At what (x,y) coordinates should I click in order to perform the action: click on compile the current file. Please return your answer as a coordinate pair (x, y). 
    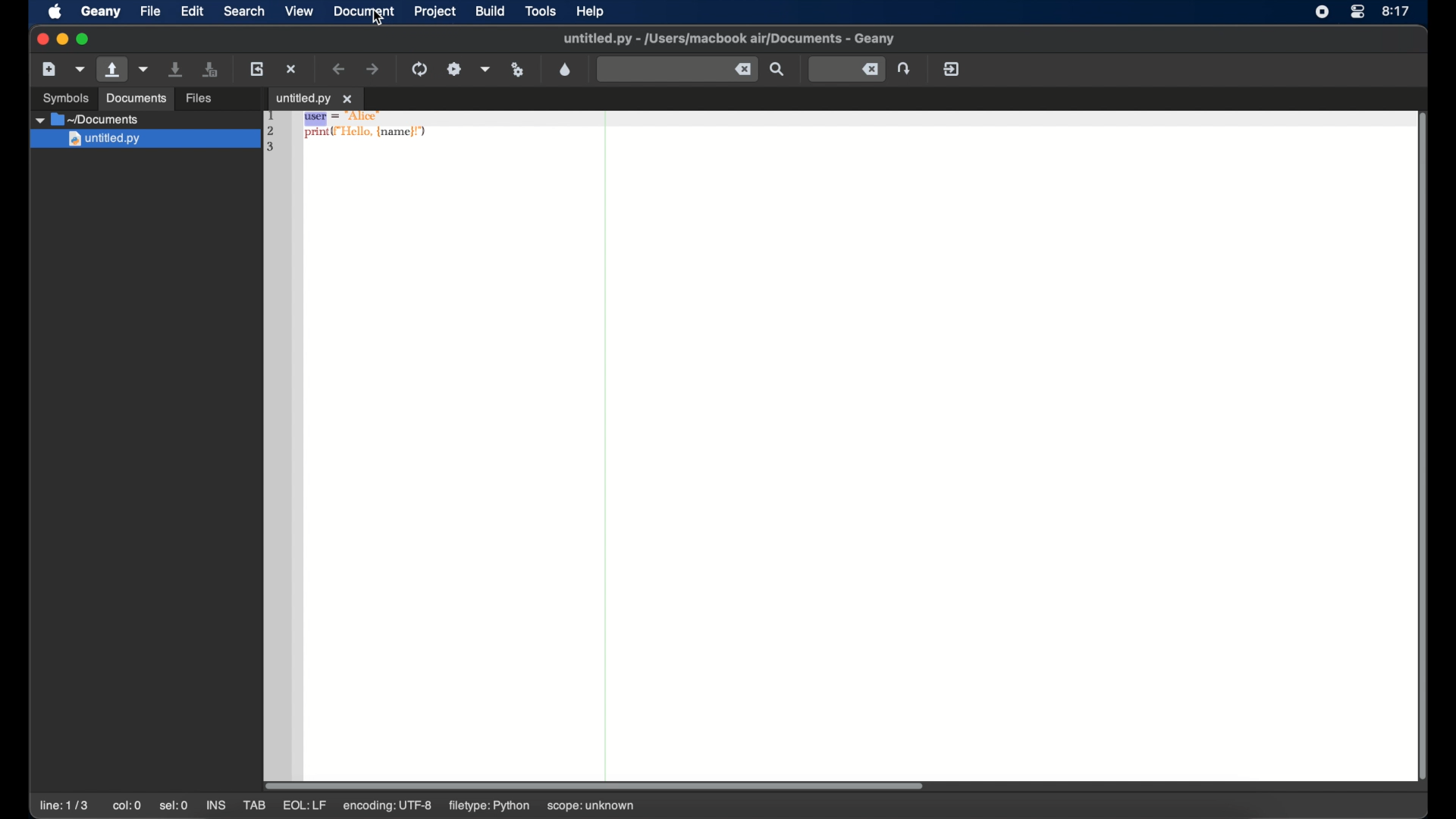
    Looking at the image, I should click on (419, 69).